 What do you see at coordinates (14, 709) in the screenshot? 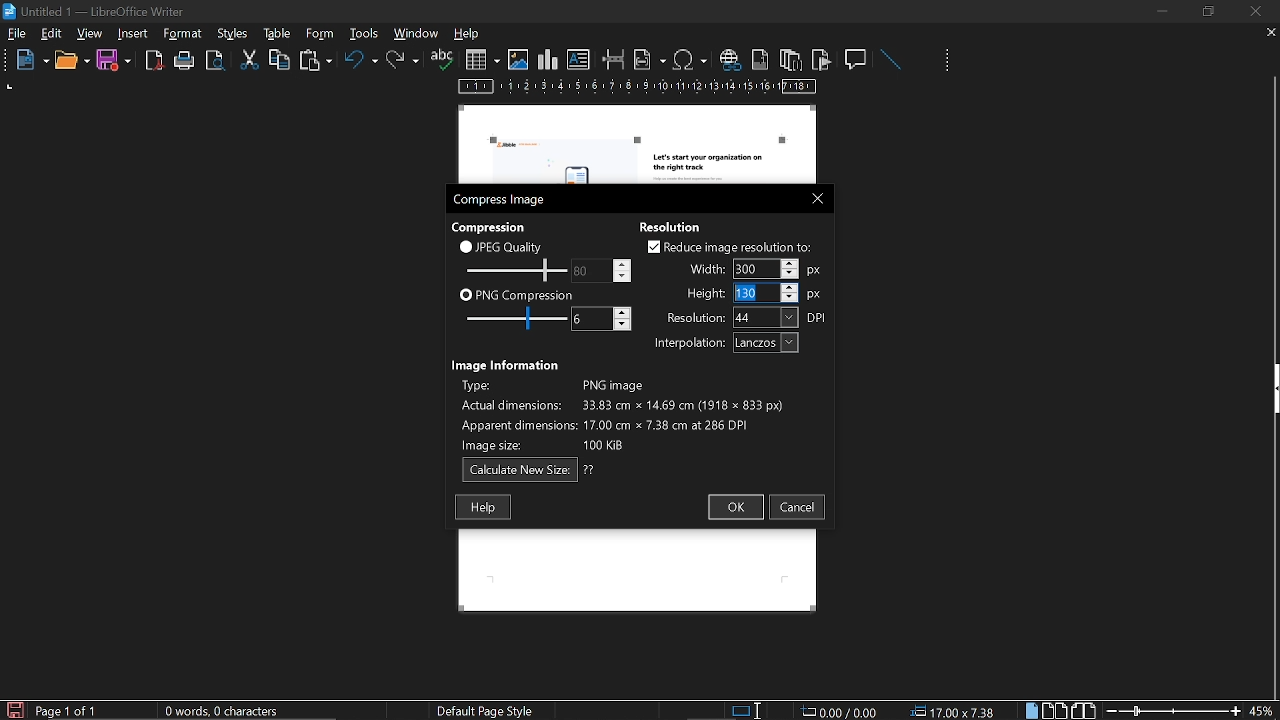
I see `save` at bounding box center [14, 709].